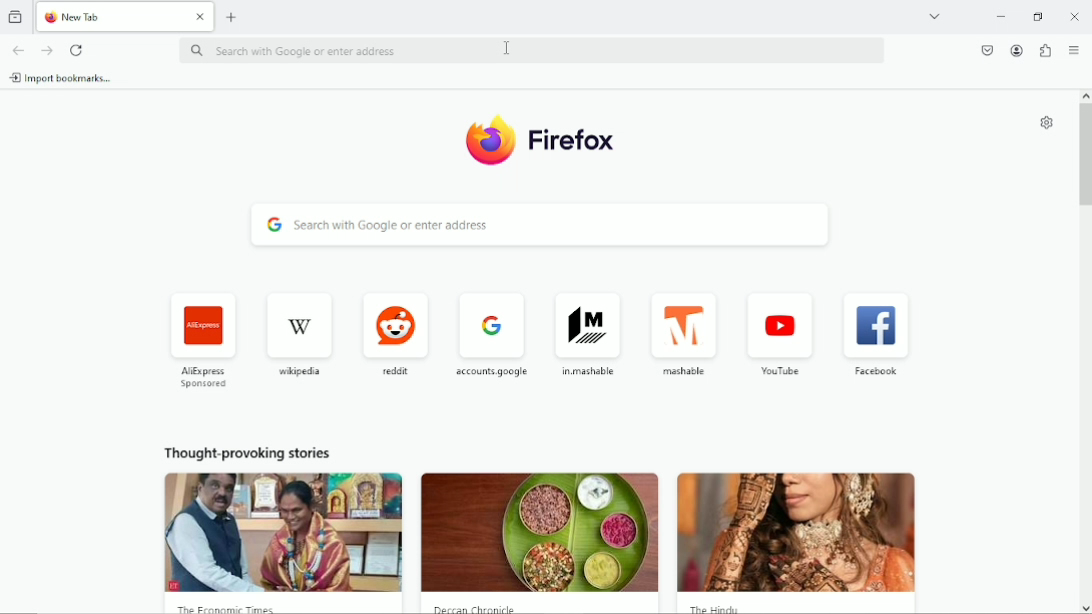 Image resolution: width=1092 pixels, height=614 pixels. I want to click on image, so click(805, 535).